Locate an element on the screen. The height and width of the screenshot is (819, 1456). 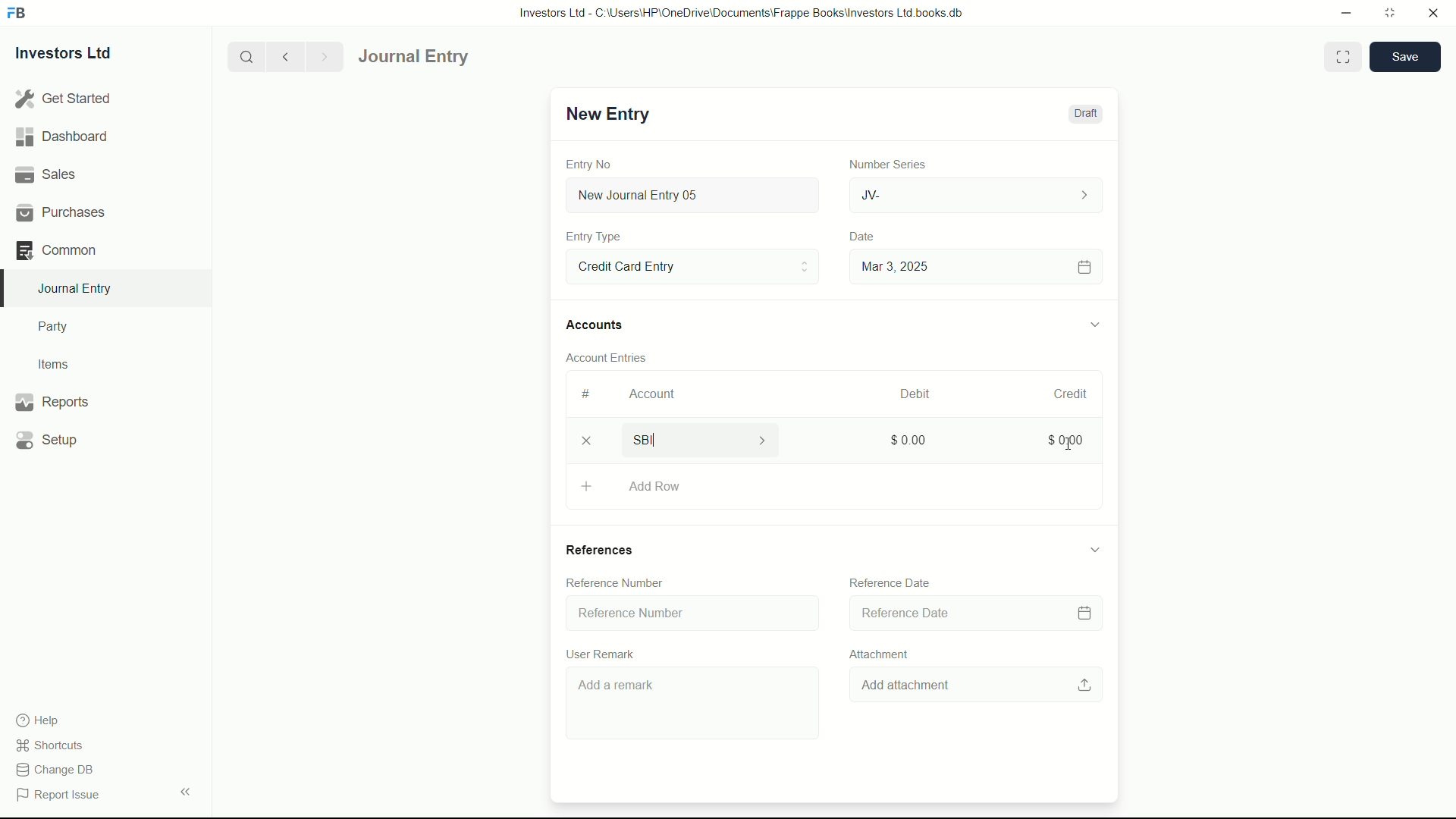
References is located at coordinates (607, 549).